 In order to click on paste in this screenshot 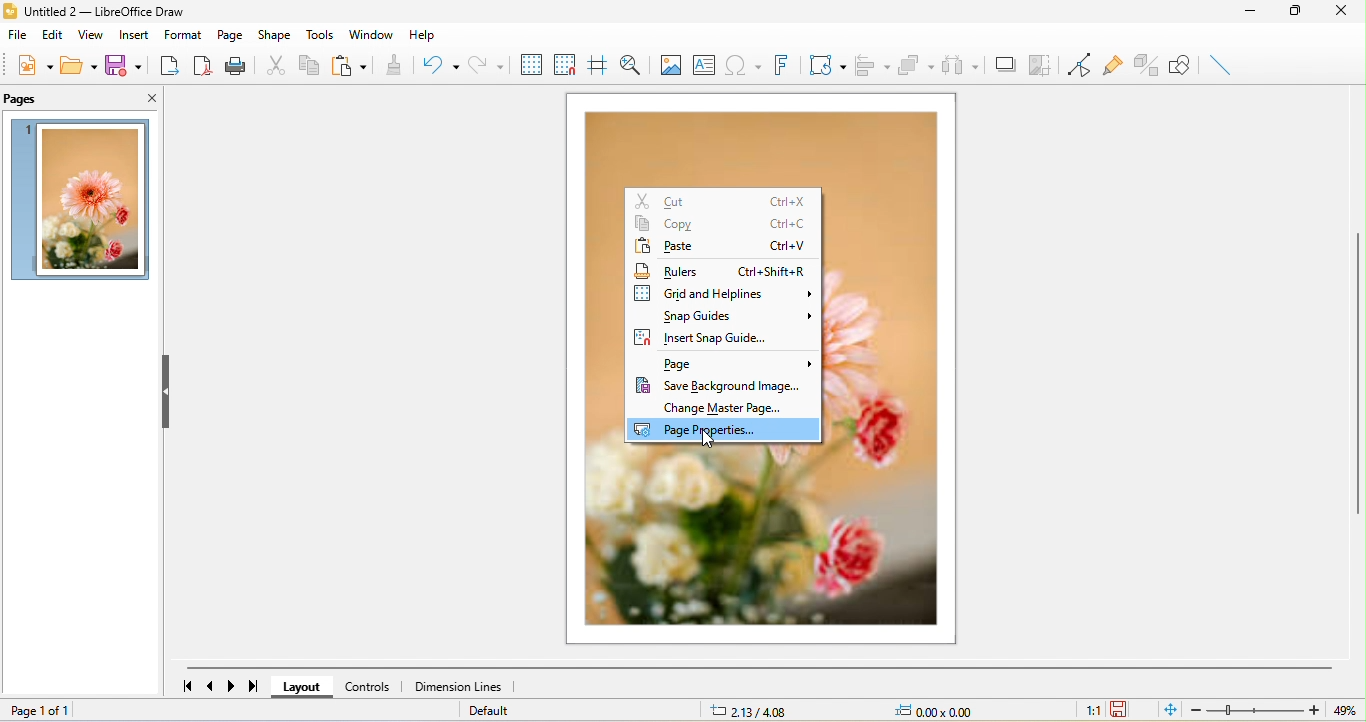, I will do `click(724, 245)`.